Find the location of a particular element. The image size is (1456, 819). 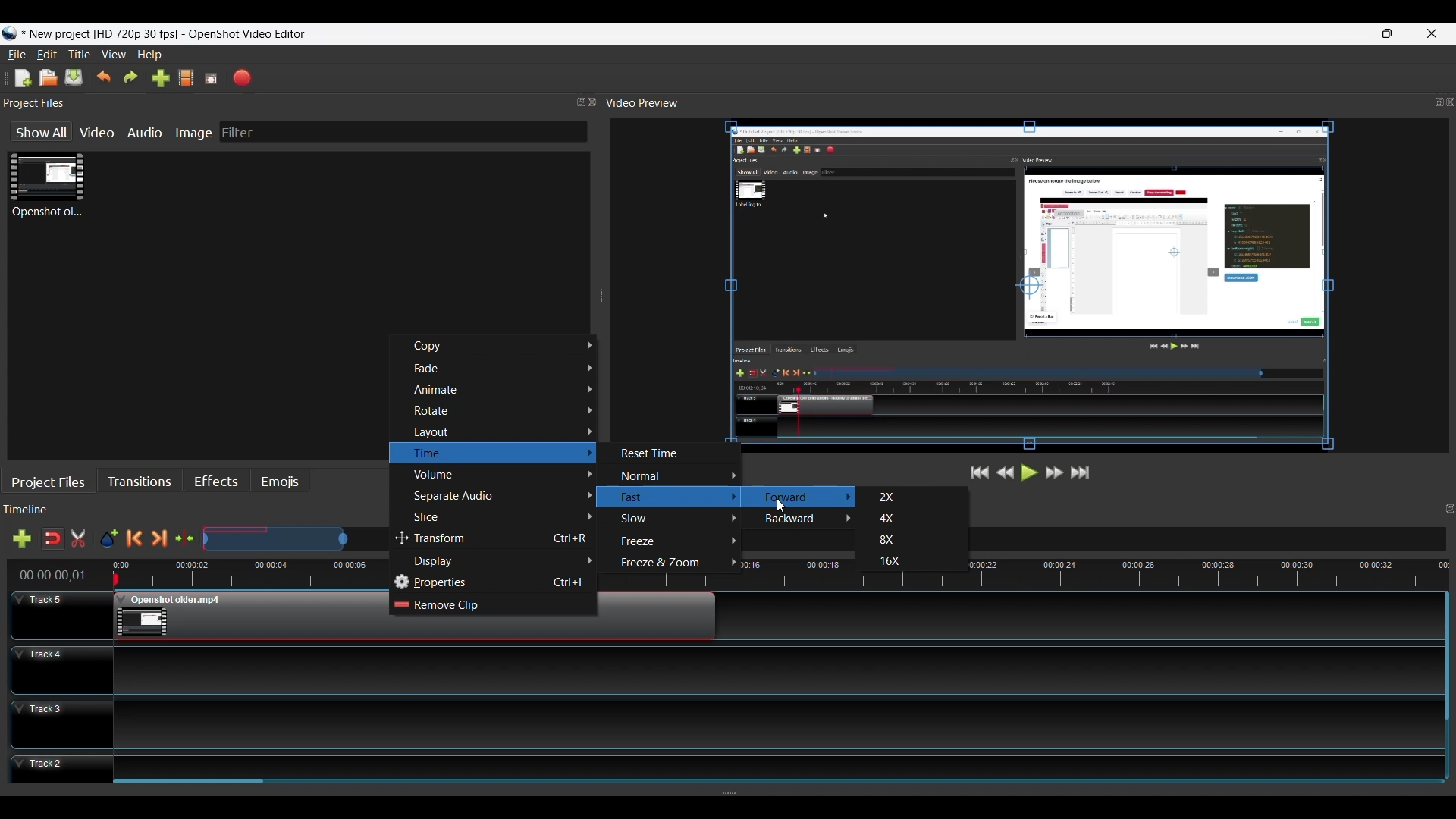

Clip at Track Panel is located at coordinates (242, 617).